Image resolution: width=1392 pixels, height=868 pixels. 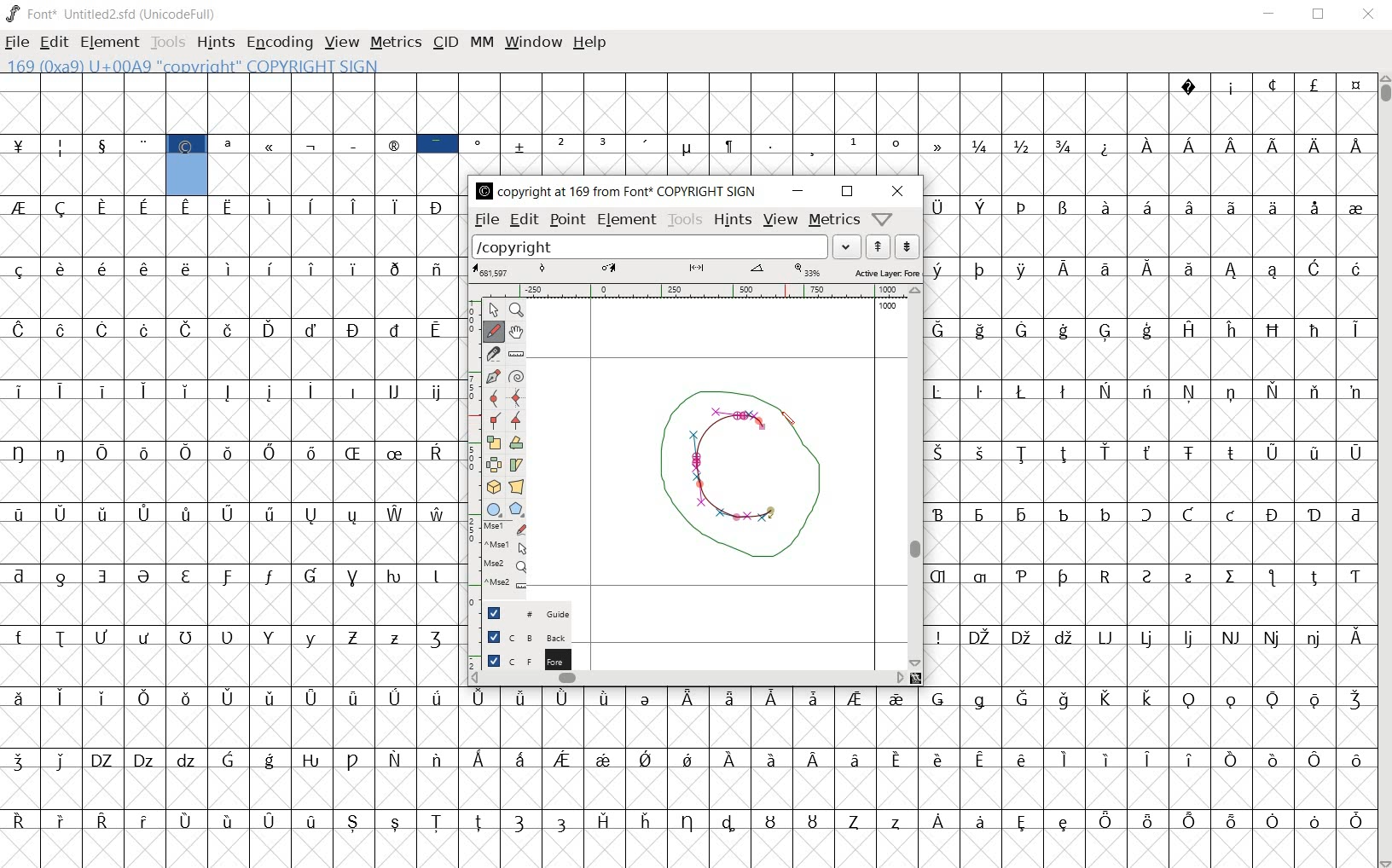 I want to click on 169 (0x9a) U+00A9 "copyright" COPYRIGHT SIGN, so click(x=188, y=163).